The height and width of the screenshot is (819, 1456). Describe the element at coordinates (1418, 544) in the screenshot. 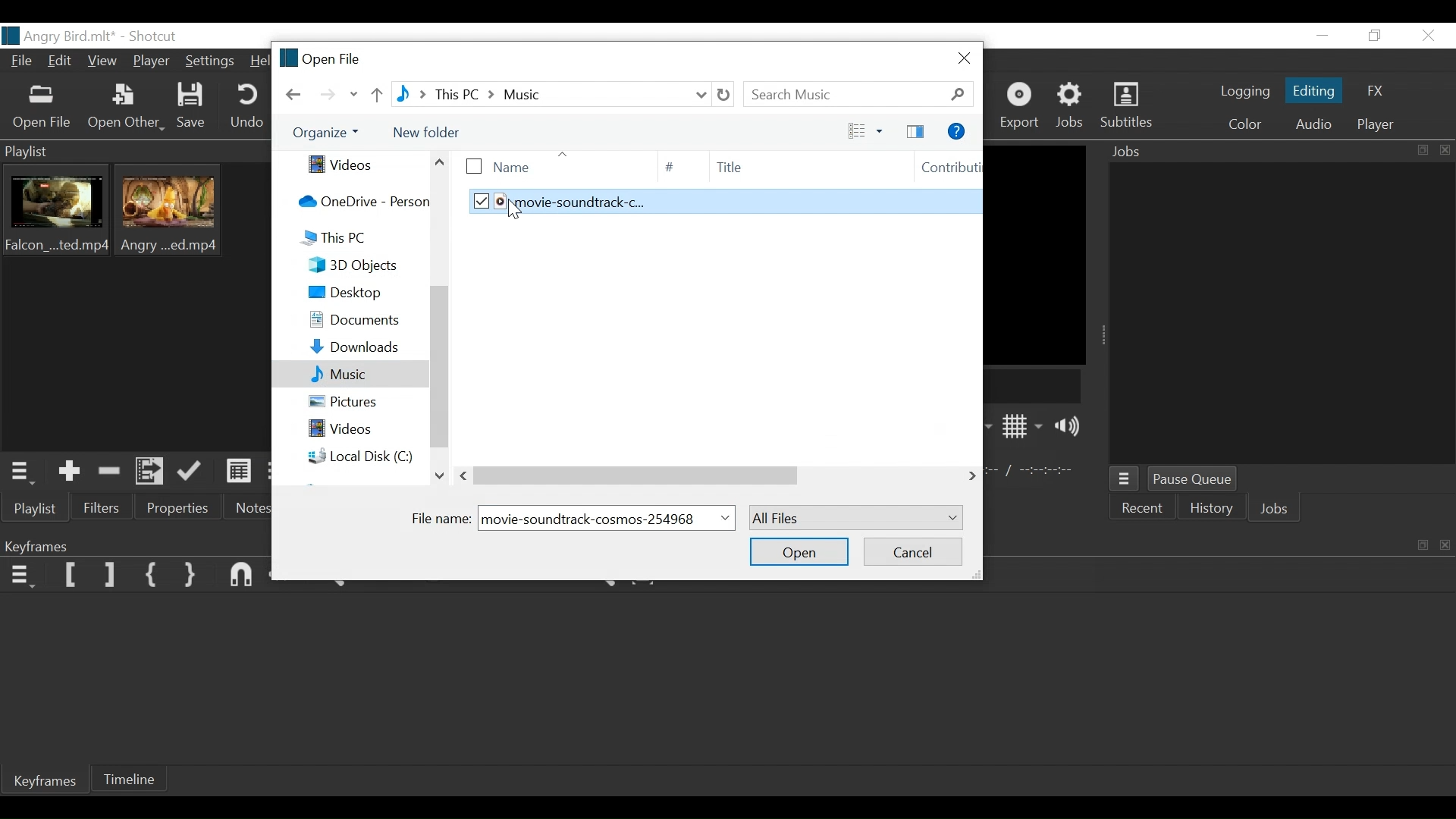

I see `minimize` at that location.